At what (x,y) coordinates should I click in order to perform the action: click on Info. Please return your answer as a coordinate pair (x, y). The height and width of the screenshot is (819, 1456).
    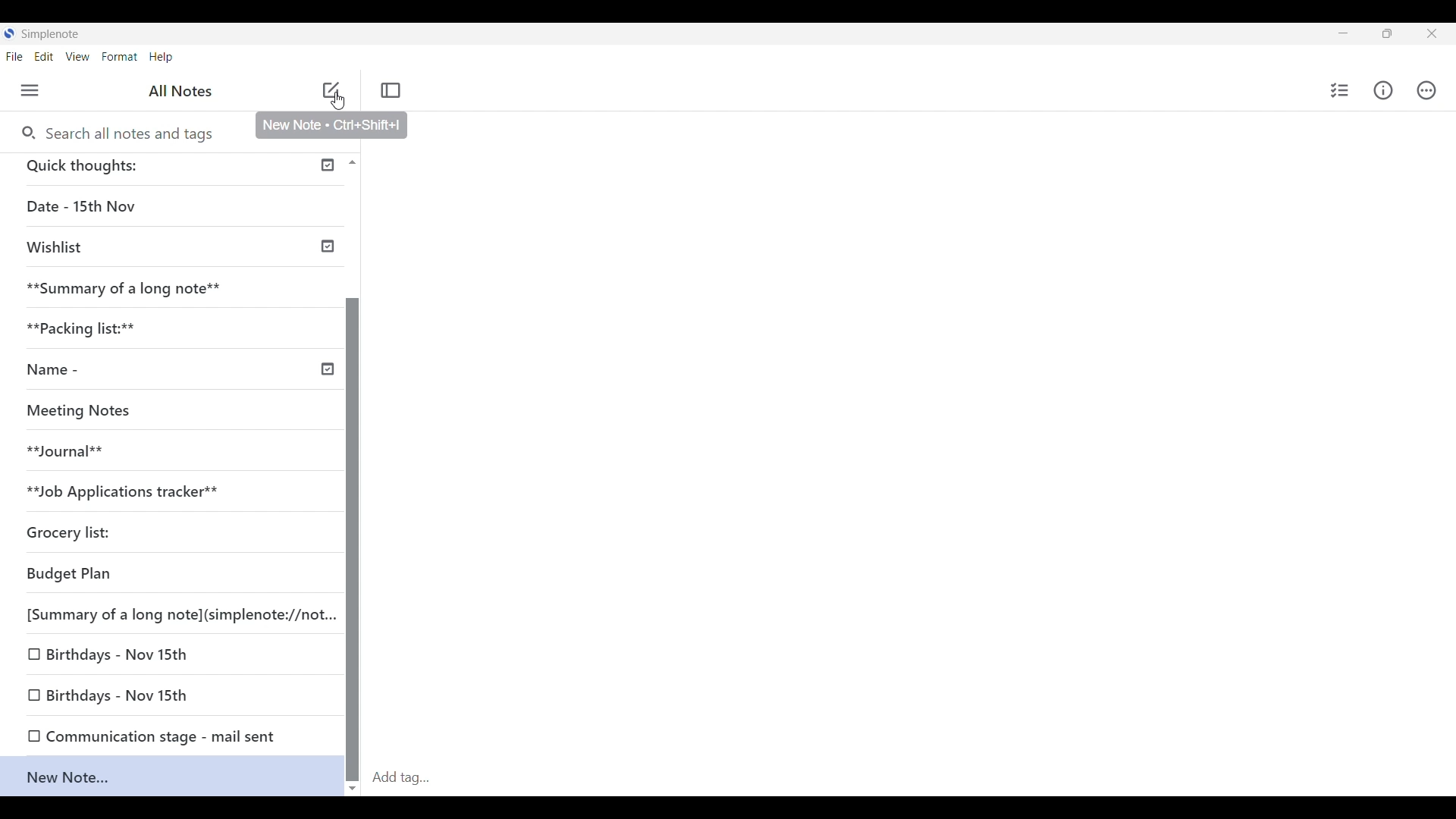
    Looking at the image, I should click on (1383, 90).